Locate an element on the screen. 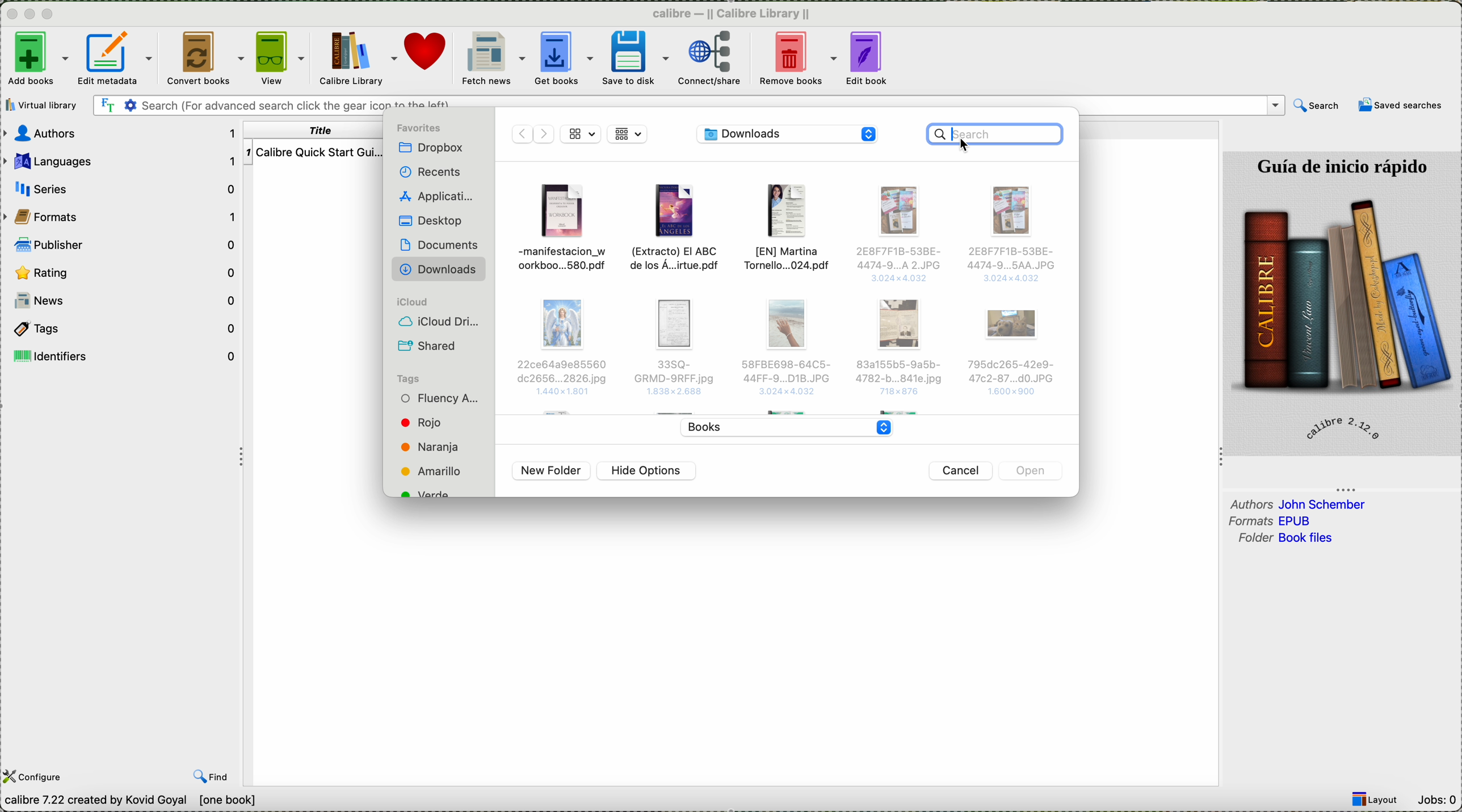  find is located at coordinates (211, 776).